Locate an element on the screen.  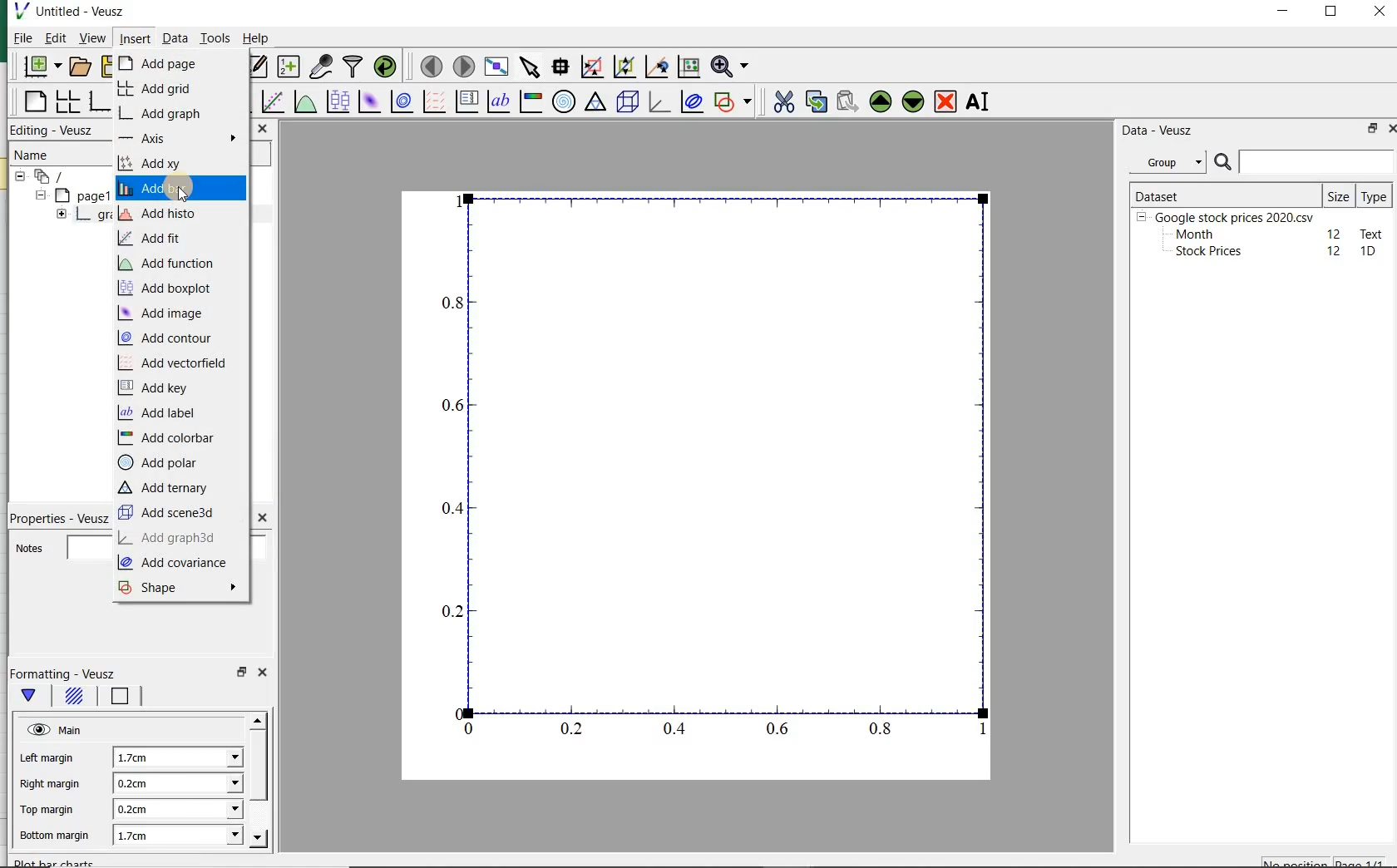
plot covariance ellipses is located at coordinates (692, 102).